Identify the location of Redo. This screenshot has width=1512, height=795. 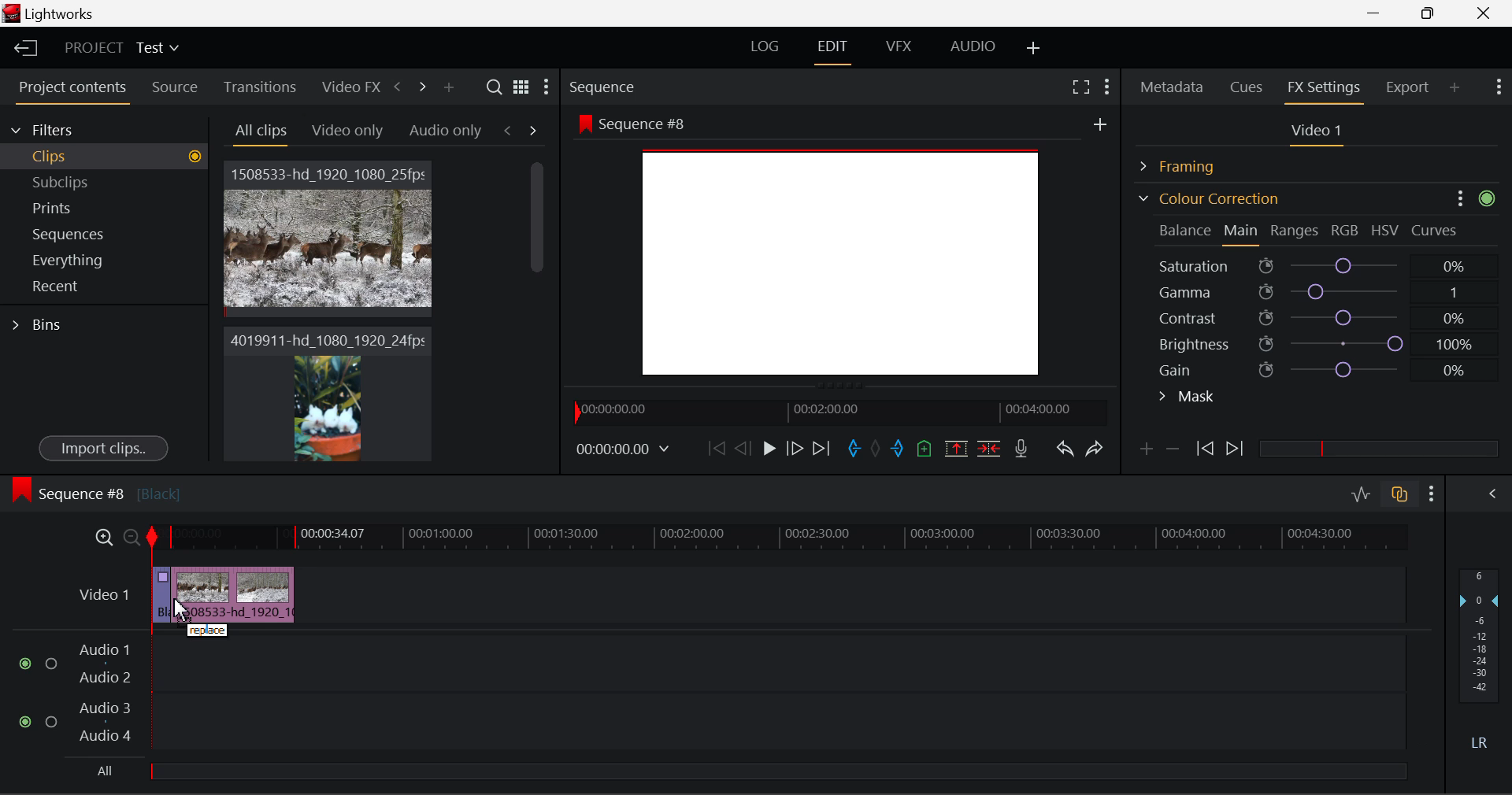
(1095, 448).